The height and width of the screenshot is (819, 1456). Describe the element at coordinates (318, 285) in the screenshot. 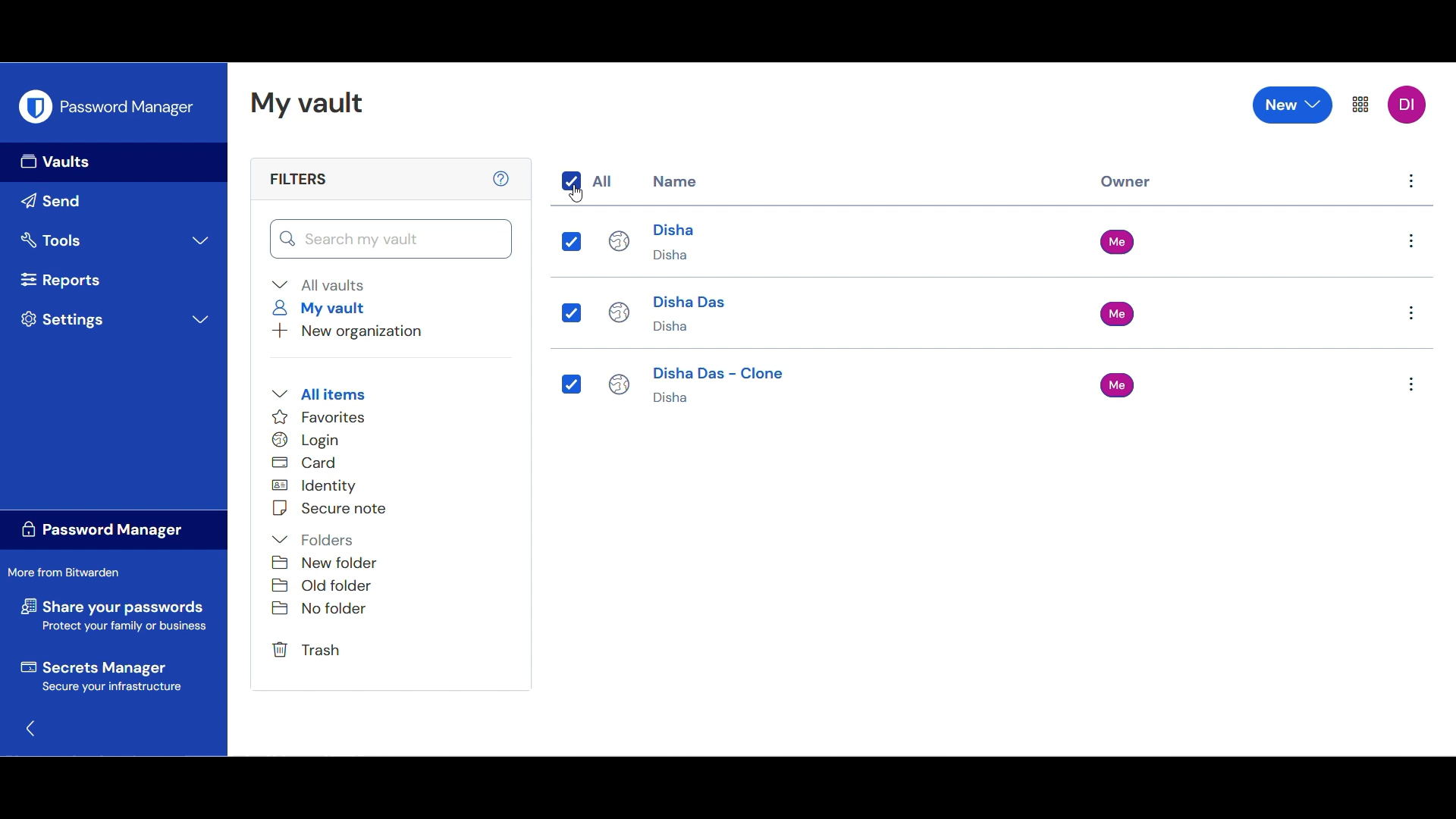

I see `Collapse all vaults` at that location.